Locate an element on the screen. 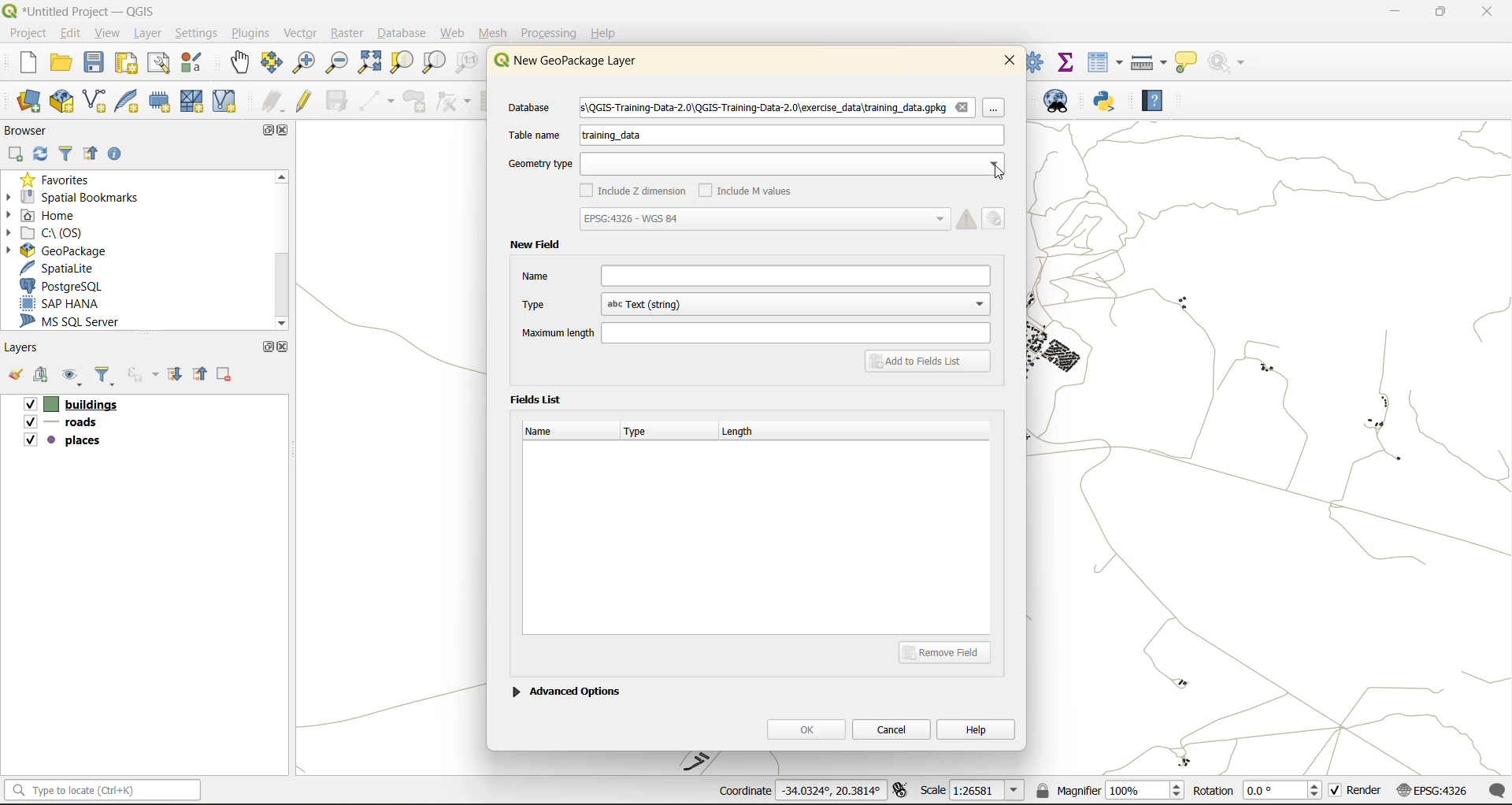 This screenshot has width=1512, height=805. project is located at coordinates (27, 32).